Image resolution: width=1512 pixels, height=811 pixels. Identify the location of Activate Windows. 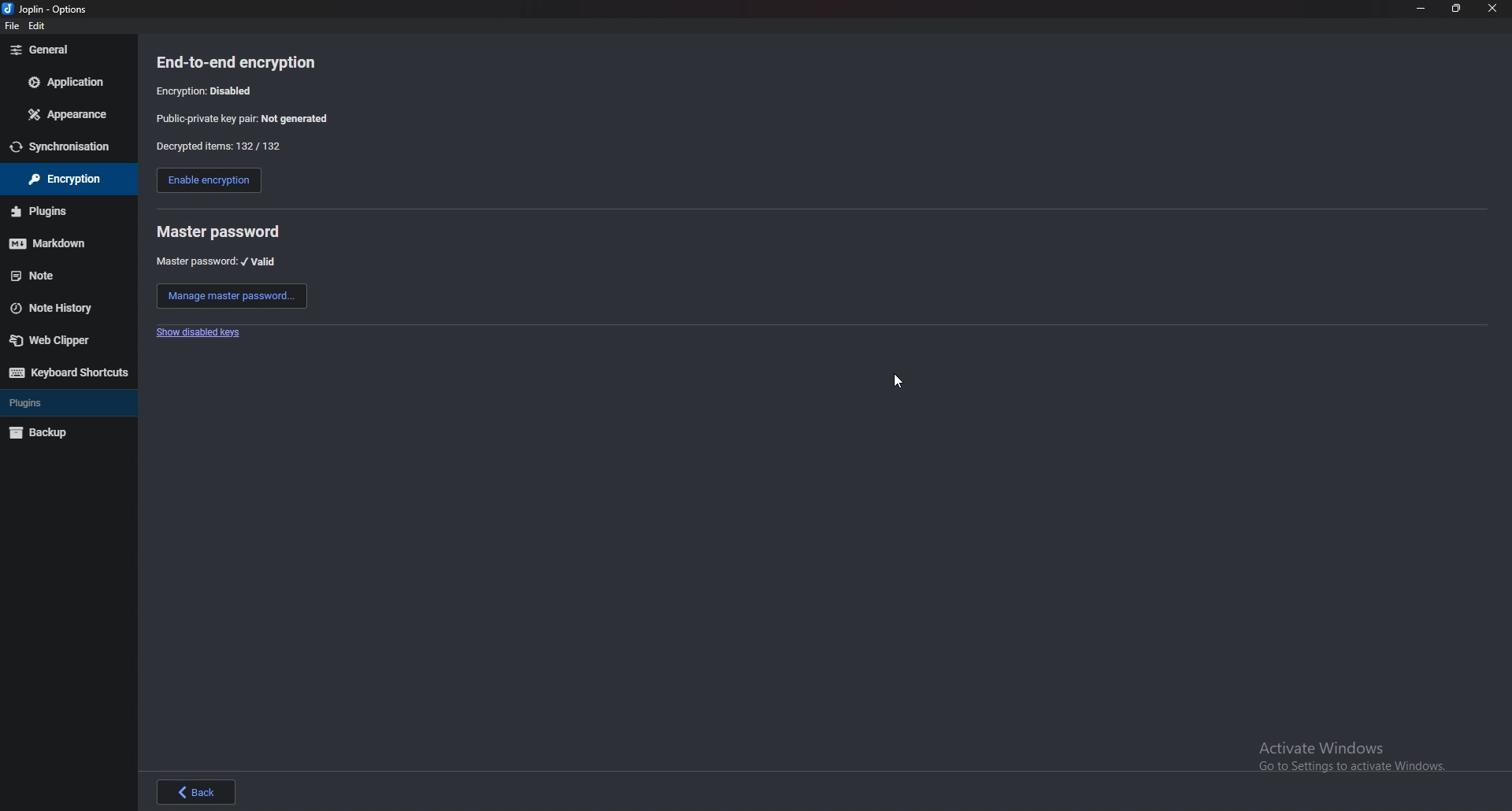
(1346, 755).